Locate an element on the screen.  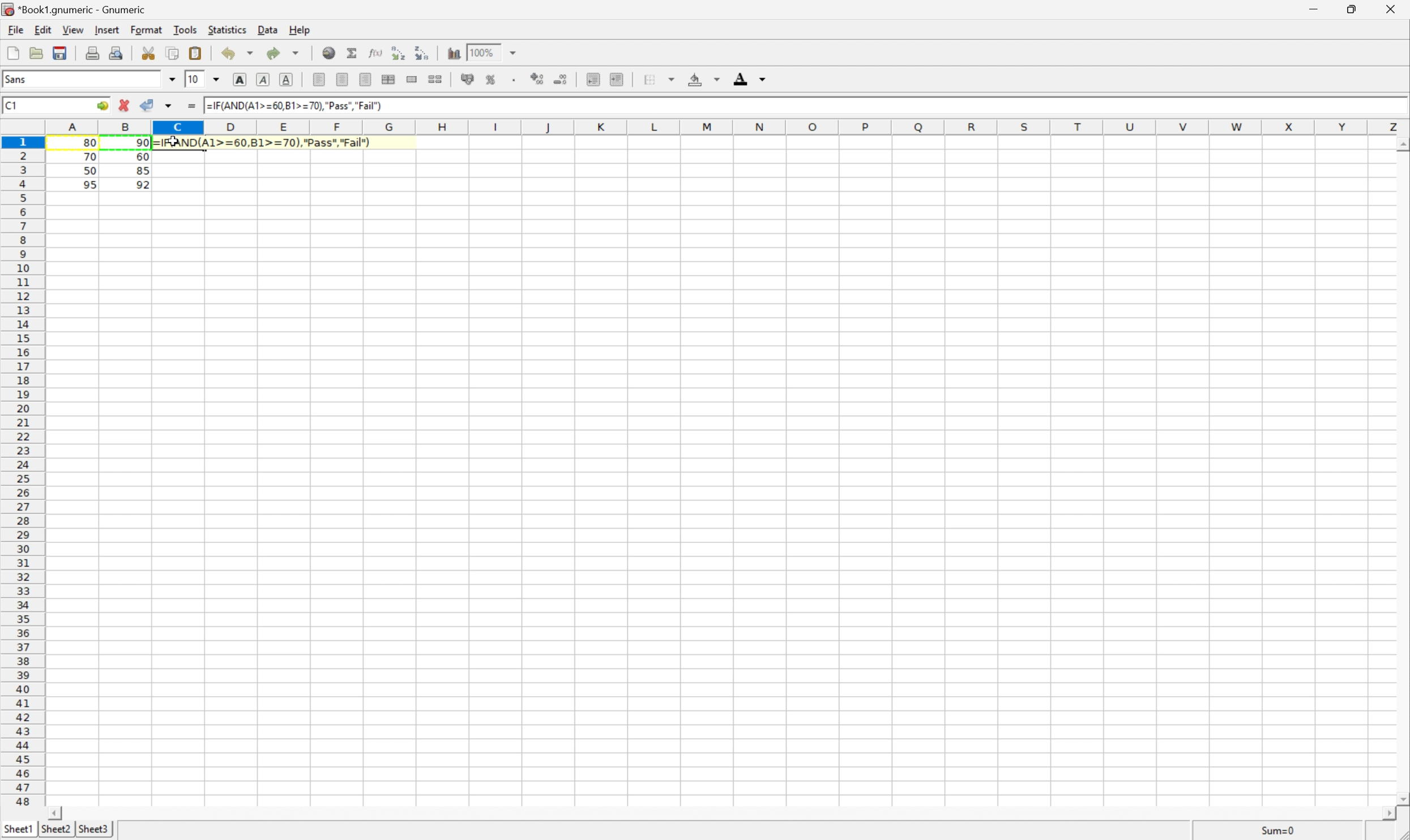
Insert is located at coordinates (108, 31).